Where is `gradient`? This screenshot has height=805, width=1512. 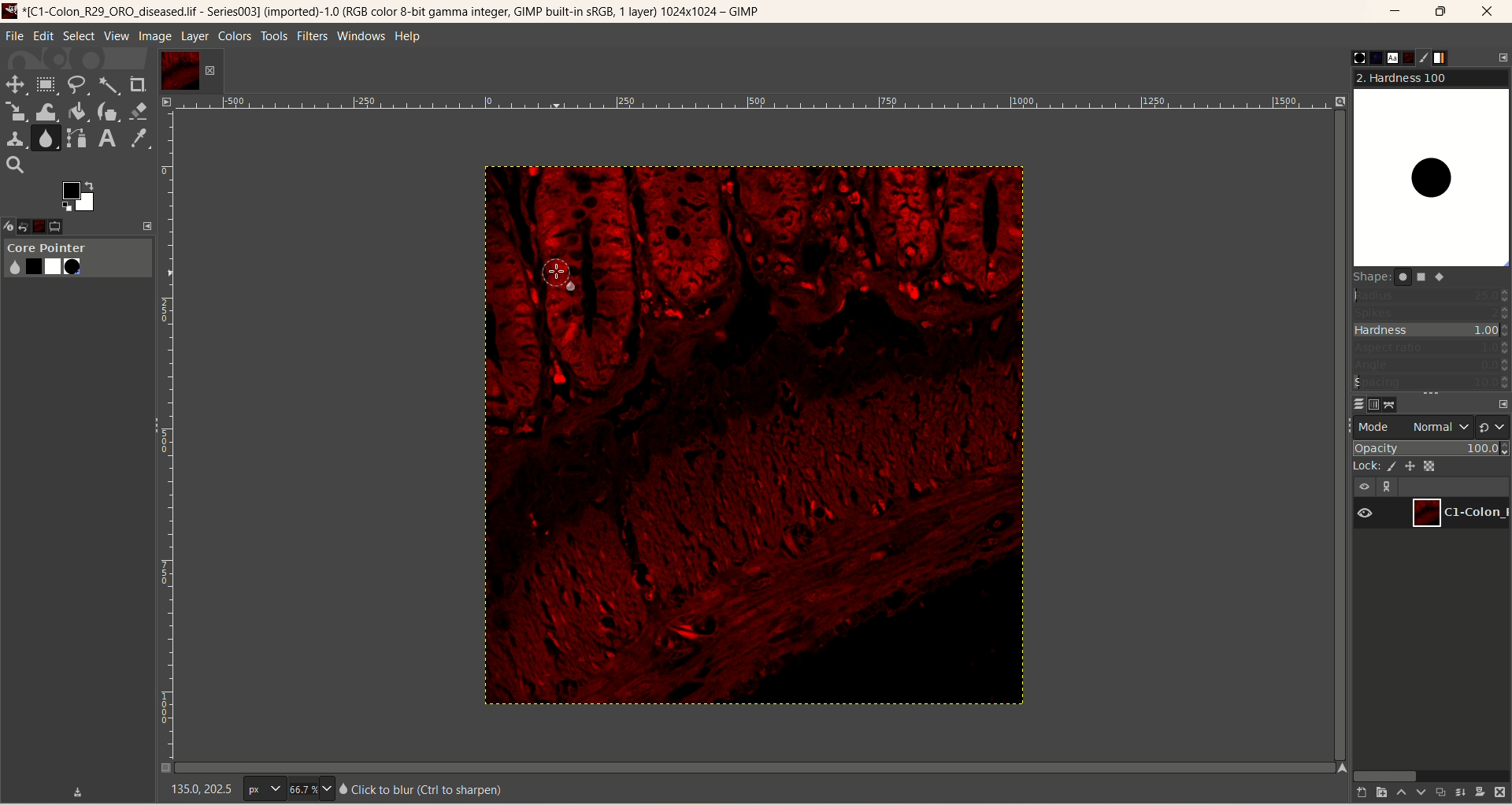
gradient is located at coordinates (1450, 58).